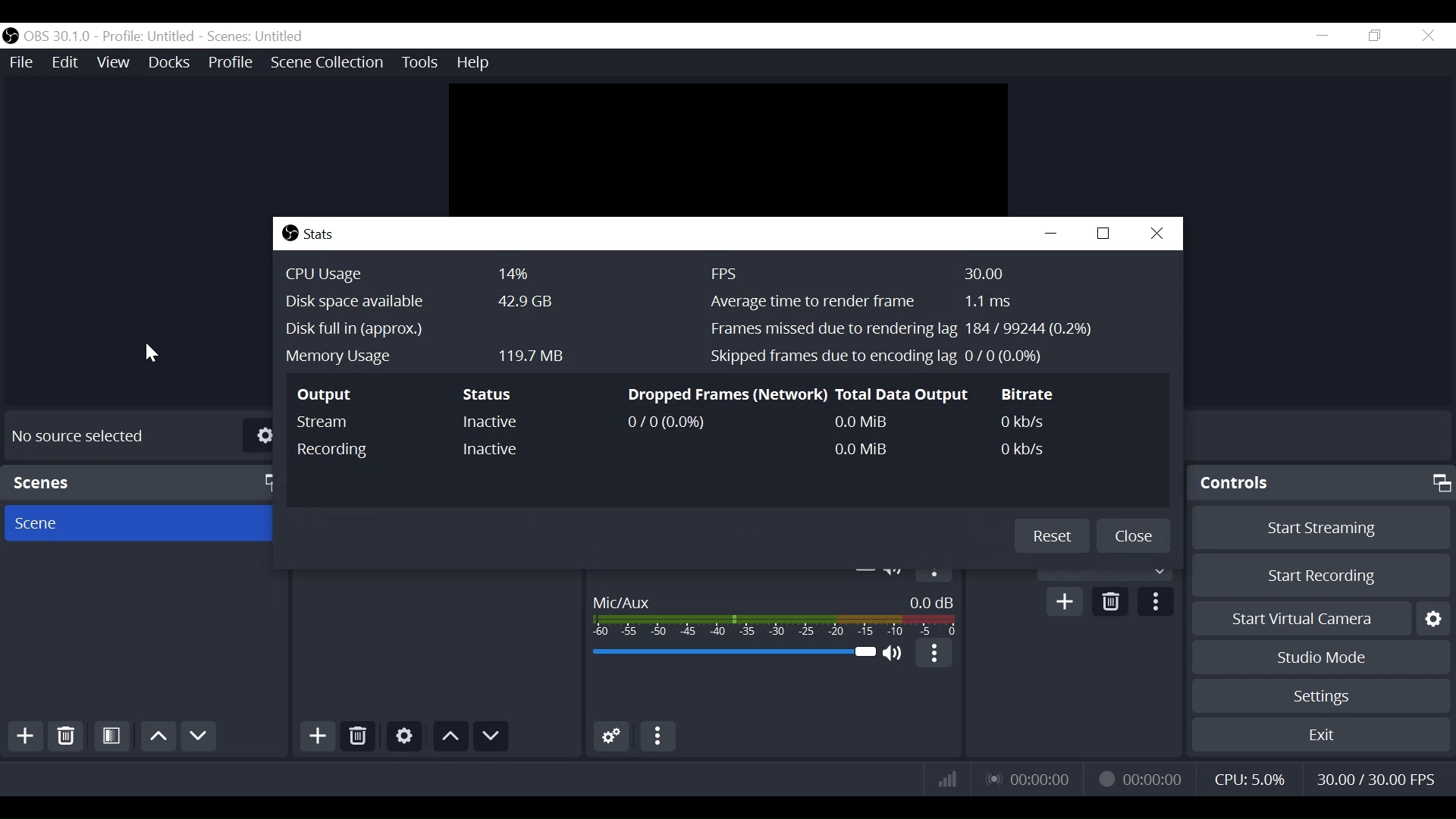 This screenshot has width=1456, height=819. What do you see at coordinates (111, 737) in the screenshot?
I see `Open Scene Filter` at bounding box center [111, 737].